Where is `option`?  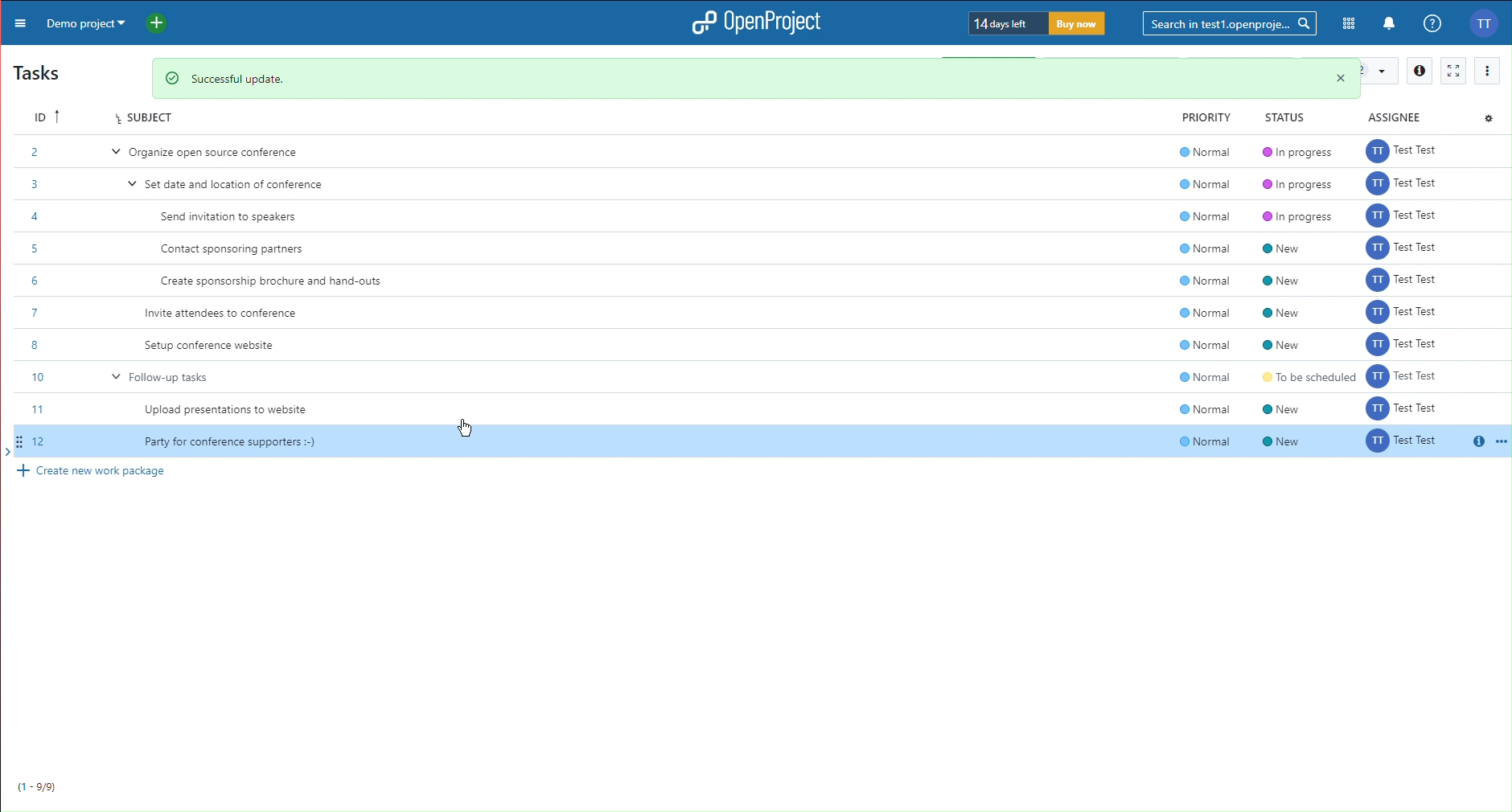 option is located at coordinates (1499, 442).